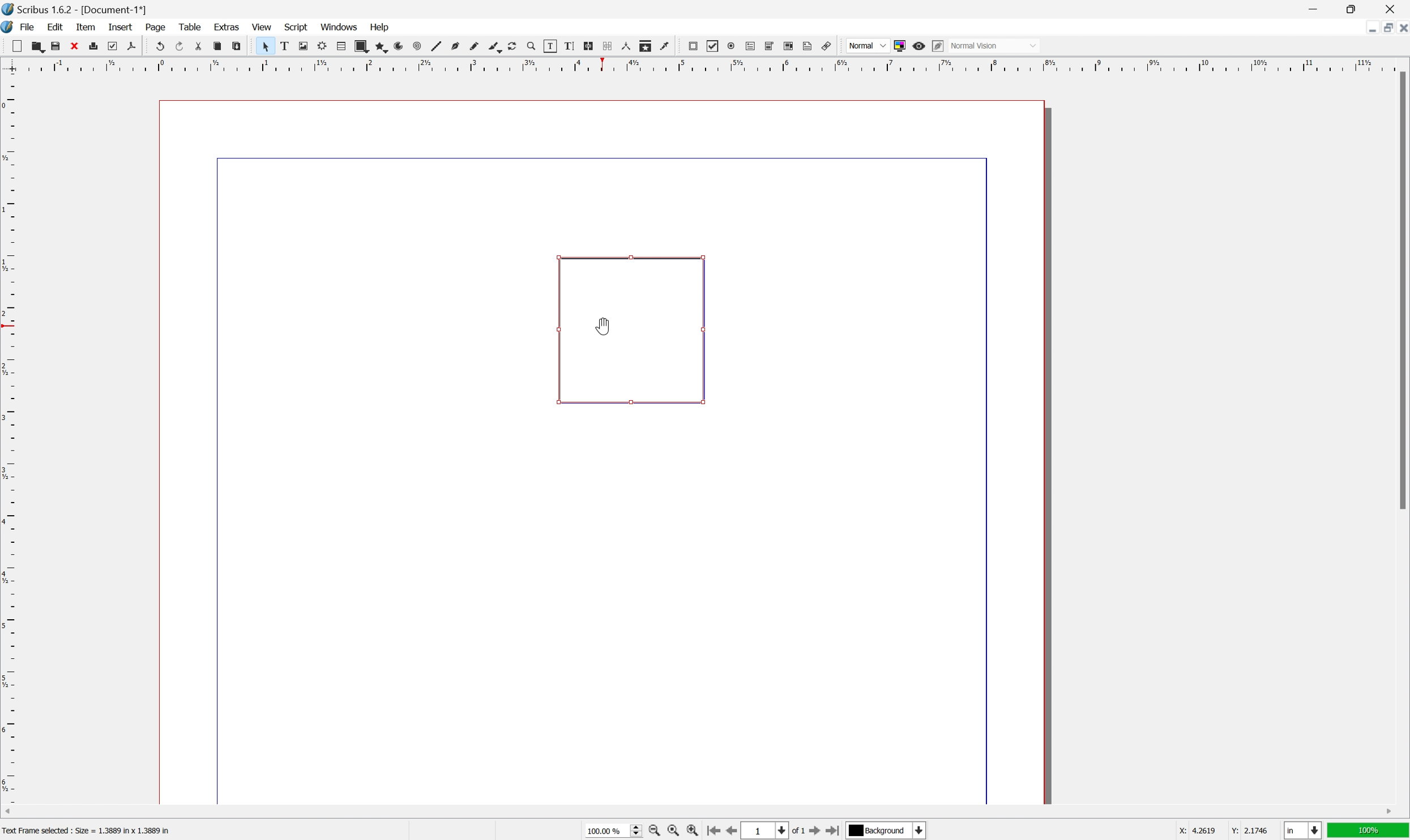 This screenshot has width=1410, height=840. What do you see at coordinates (132, 46) in the screenshot?
I see `save as pdf` at bounding box center [132, 46].